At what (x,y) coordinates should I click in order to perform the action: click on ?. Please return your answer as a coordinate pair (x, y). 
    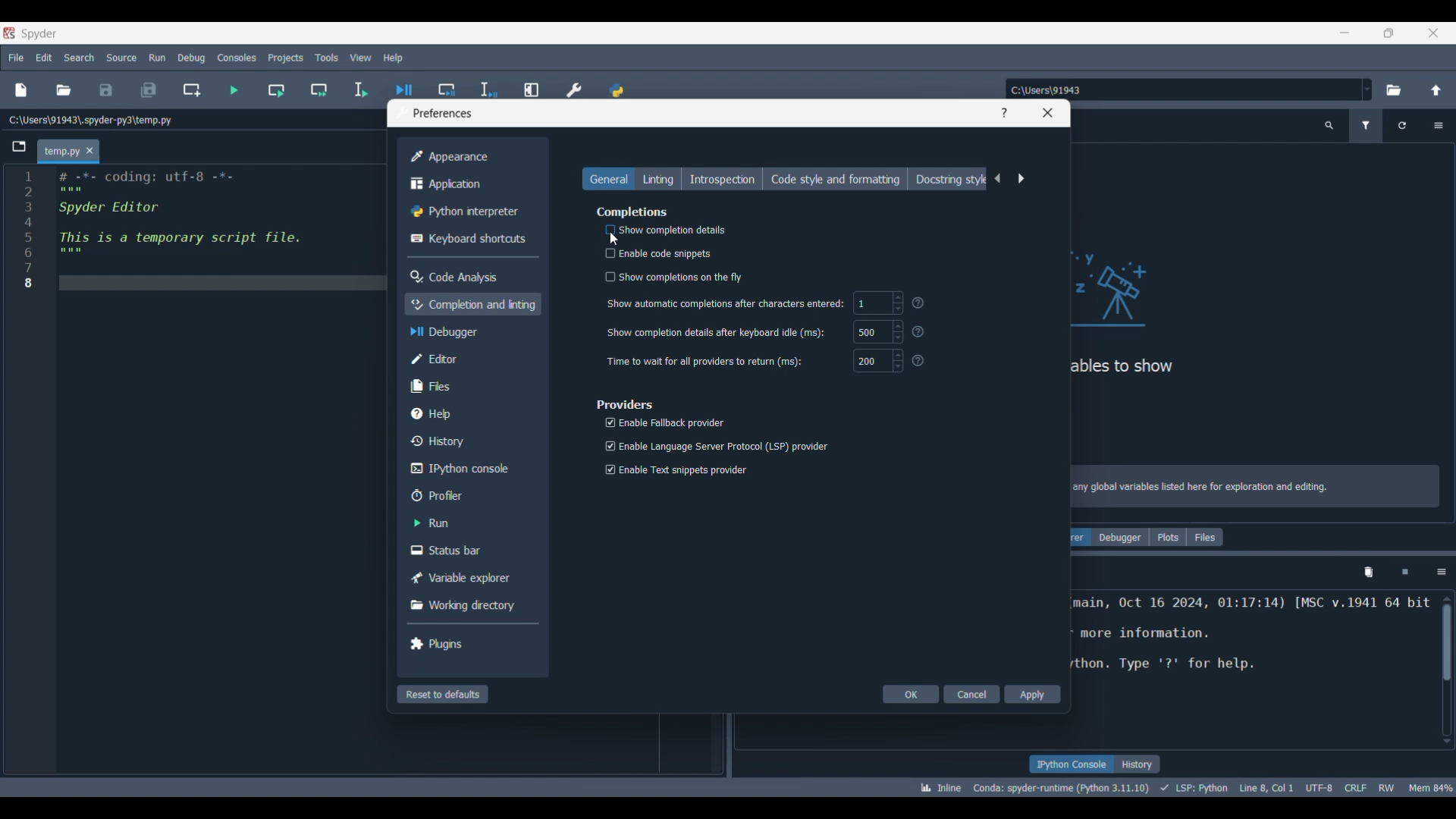
    Looking at the image, I should click on (923, 362).